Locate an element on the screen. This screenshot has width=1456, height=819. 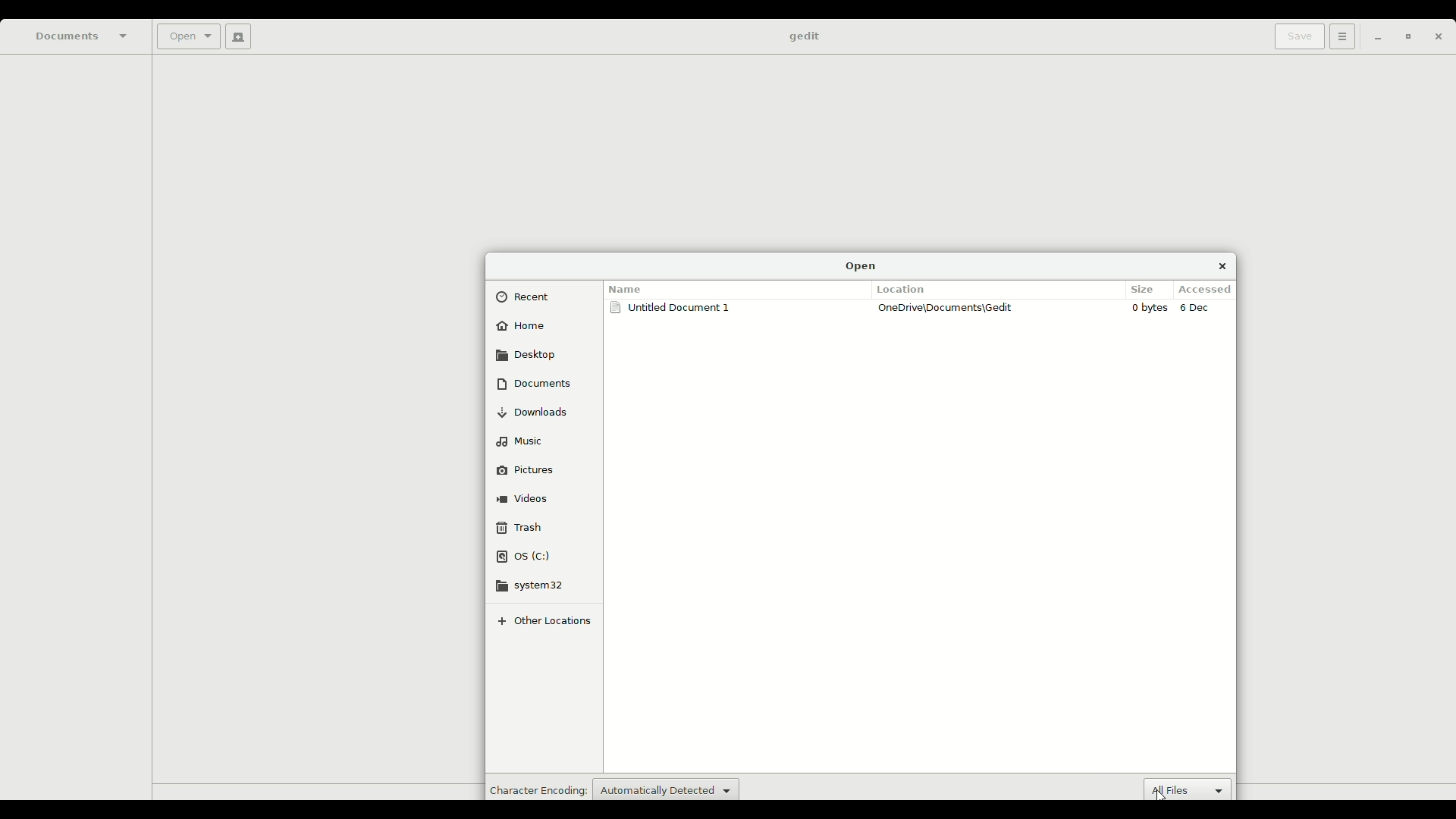
Options is located at coordinates (1340, 36).